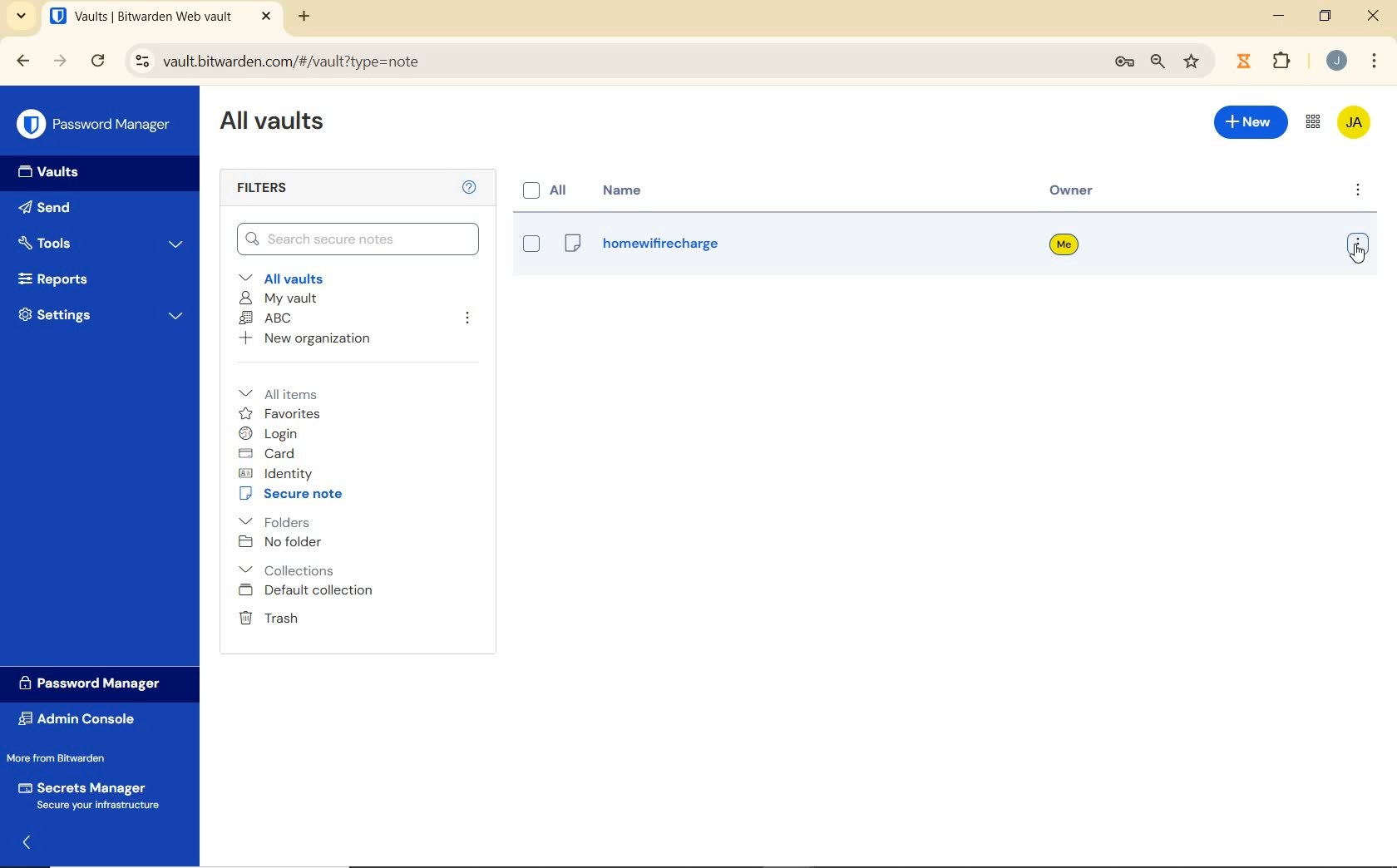  What do you see at coordinates (306, 338) in the screenshot?
I see `New organization` at bounding box center [306, 338].